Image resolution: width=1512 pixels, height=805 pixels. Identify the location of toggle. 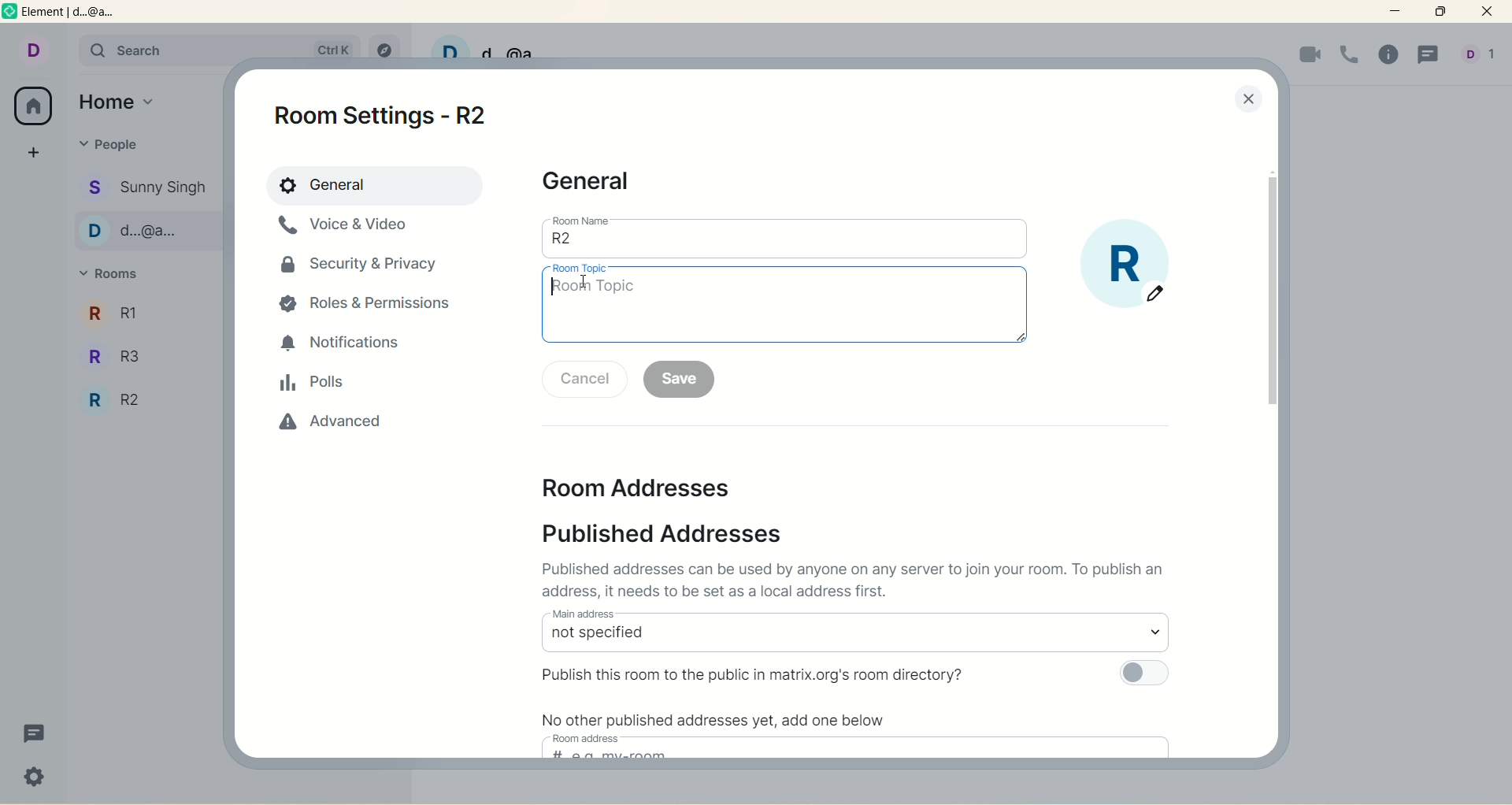
(1143, 674).